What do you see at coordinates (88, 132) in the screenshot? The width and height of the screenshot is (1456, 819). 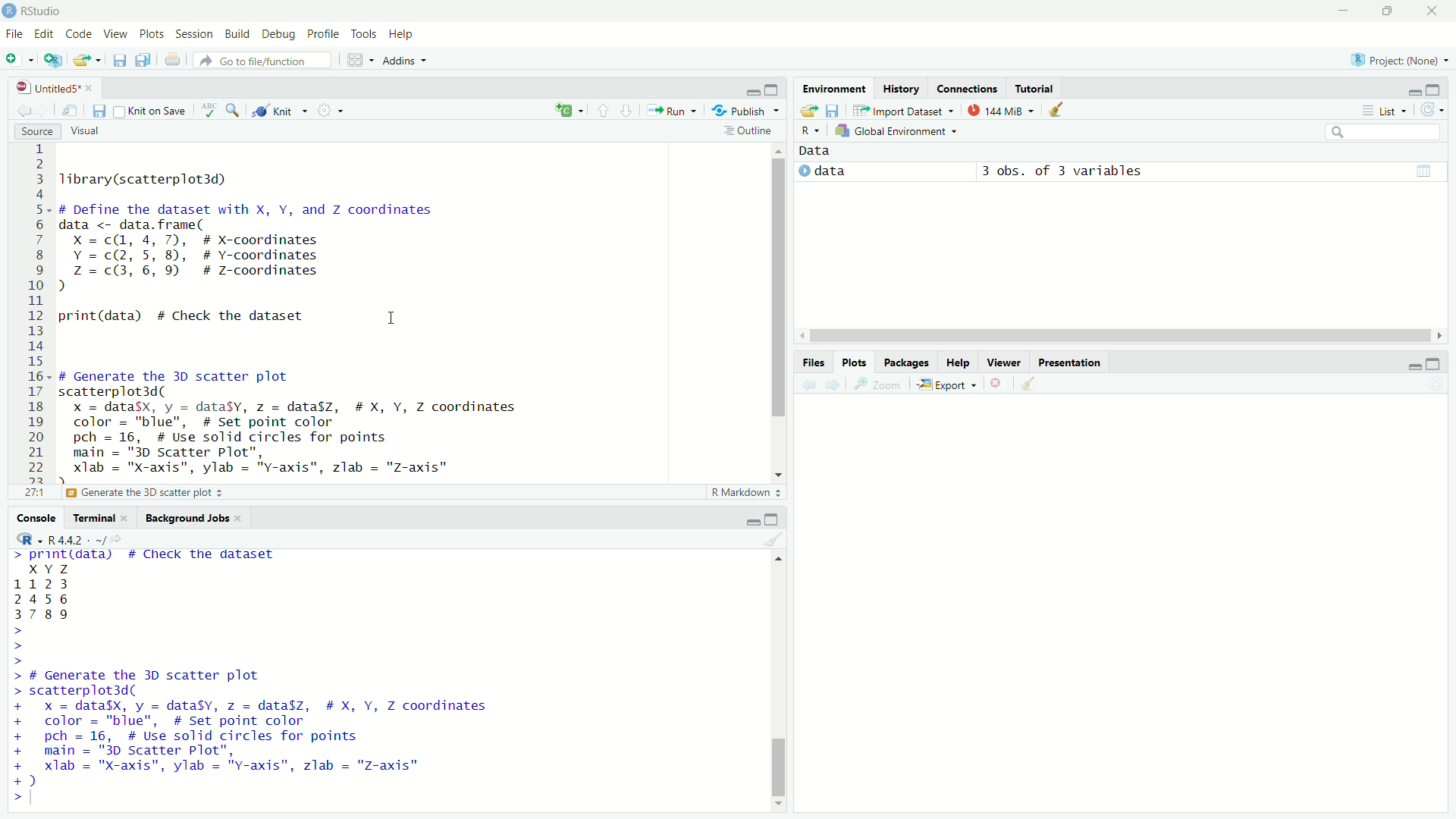 I see `Visual` at bounding box center [88, 132].